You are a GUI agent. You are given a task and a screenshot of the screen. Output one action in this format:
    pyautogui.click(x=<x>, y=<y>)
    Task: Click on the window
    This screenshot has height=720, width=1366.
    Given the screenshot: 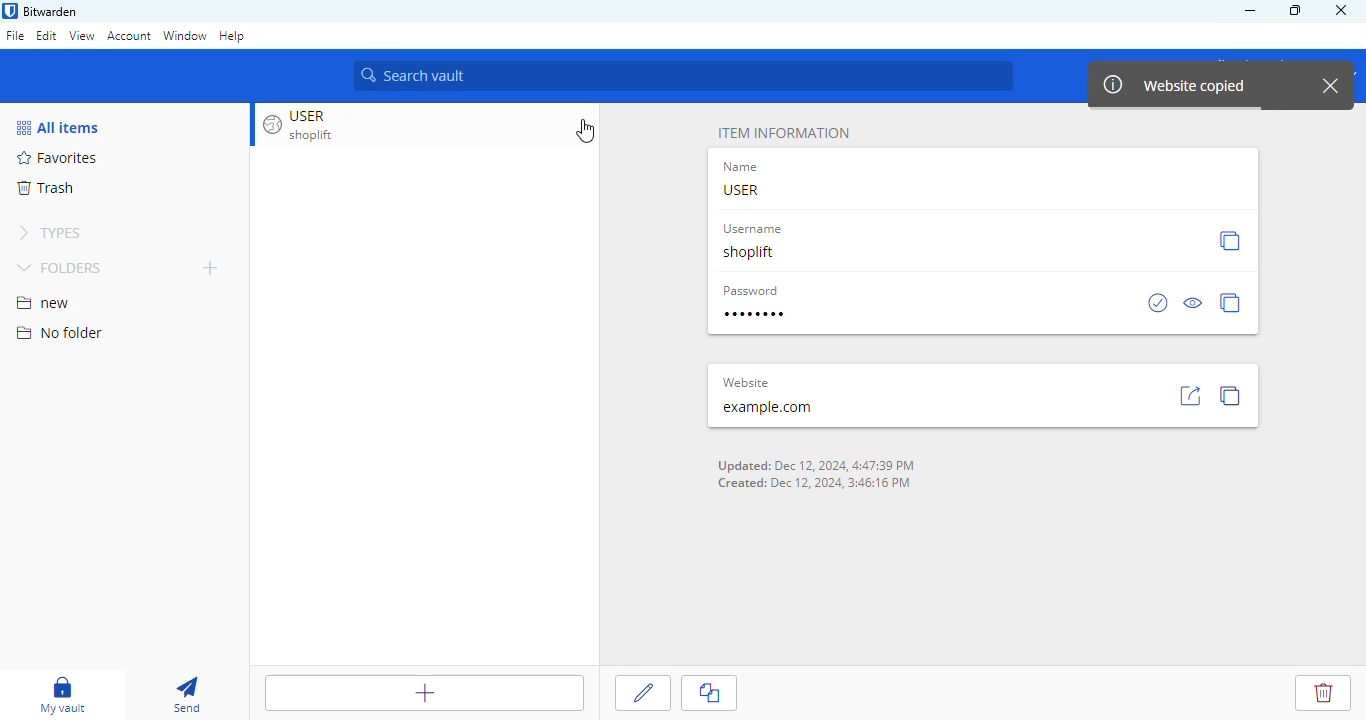 What is the action you would take?
    pyautogui.click(x=184, y=35)
    